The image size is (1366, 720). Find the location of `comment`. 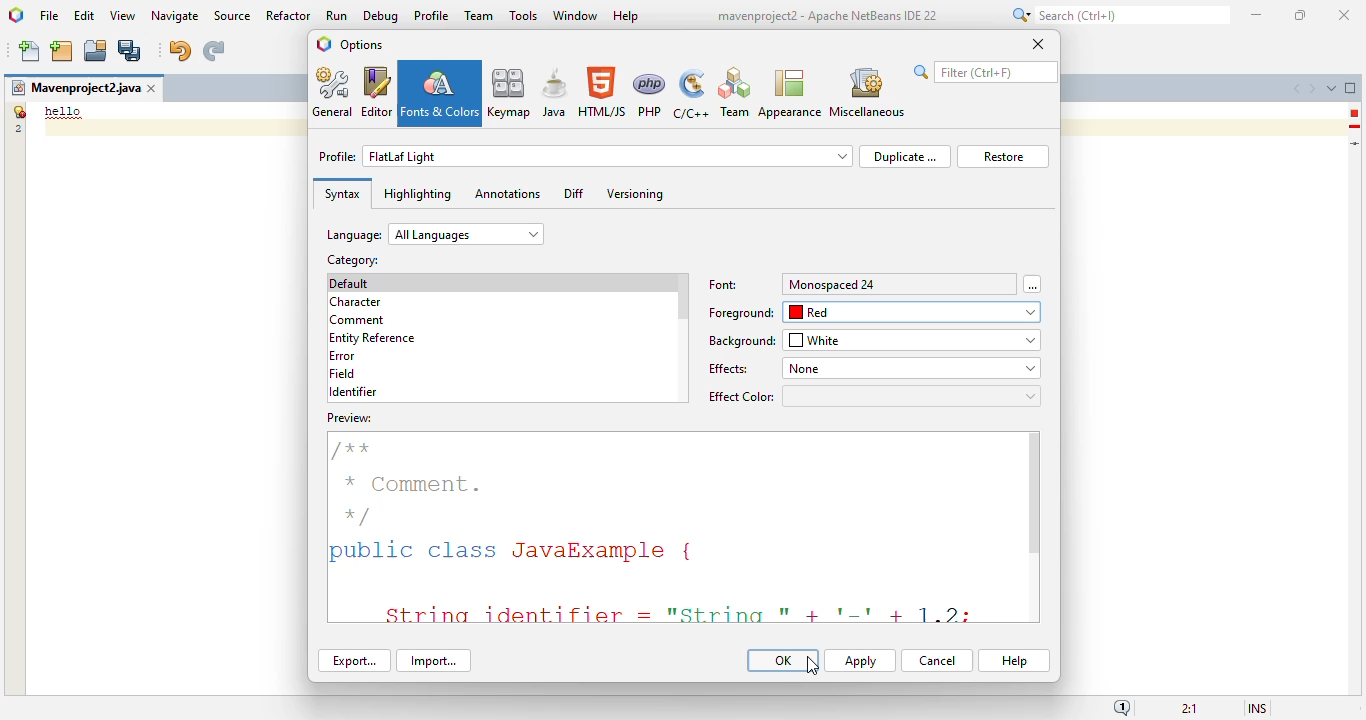

comment is located at coordinates (358, 321).